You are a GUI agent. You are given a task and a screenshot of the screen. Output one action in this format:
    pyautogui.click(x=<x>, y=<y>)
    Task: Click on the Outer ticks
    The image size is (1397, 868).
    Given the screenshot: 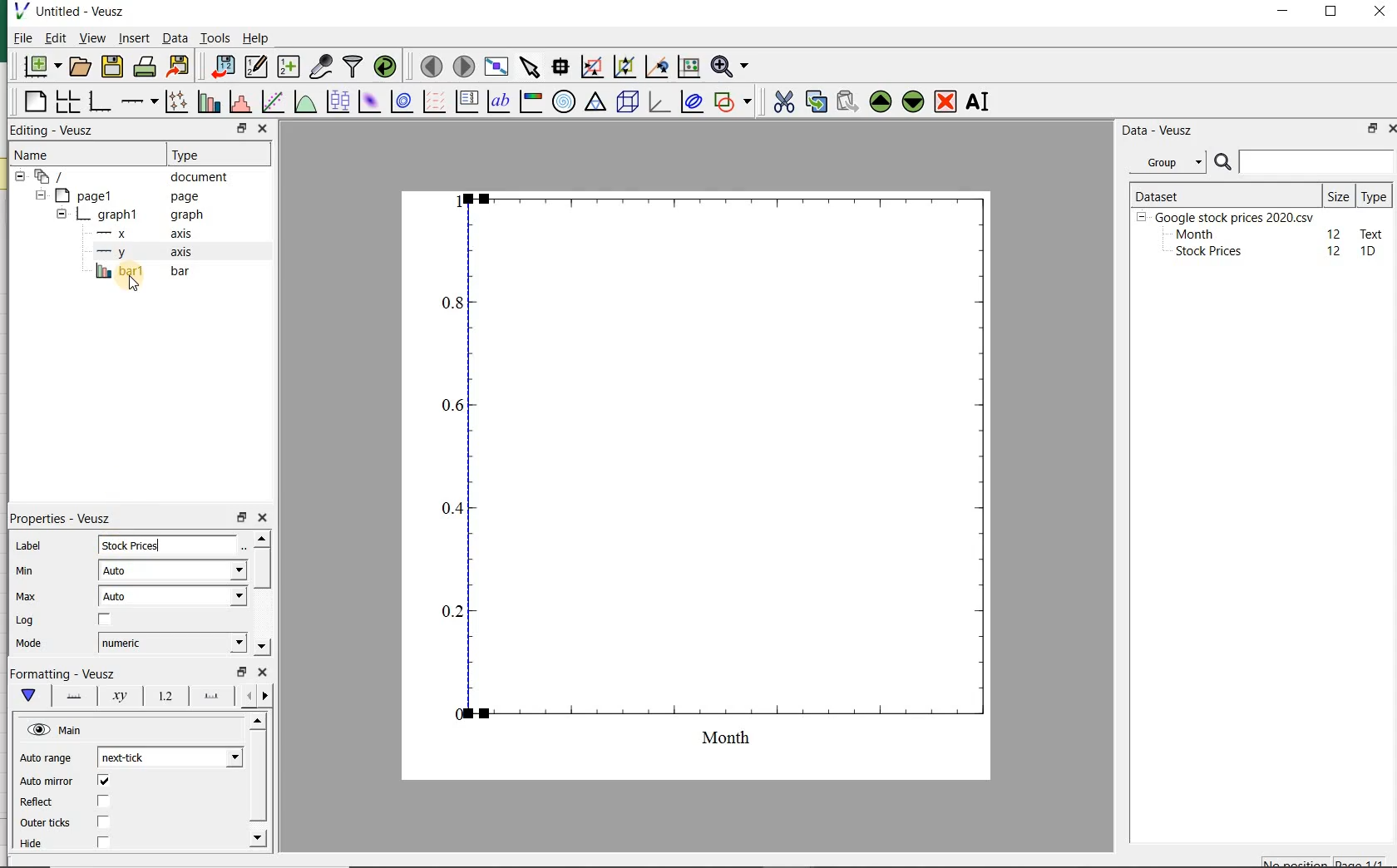 What is the action you would take?
    pyautogui.click(x=45, y=823)
    